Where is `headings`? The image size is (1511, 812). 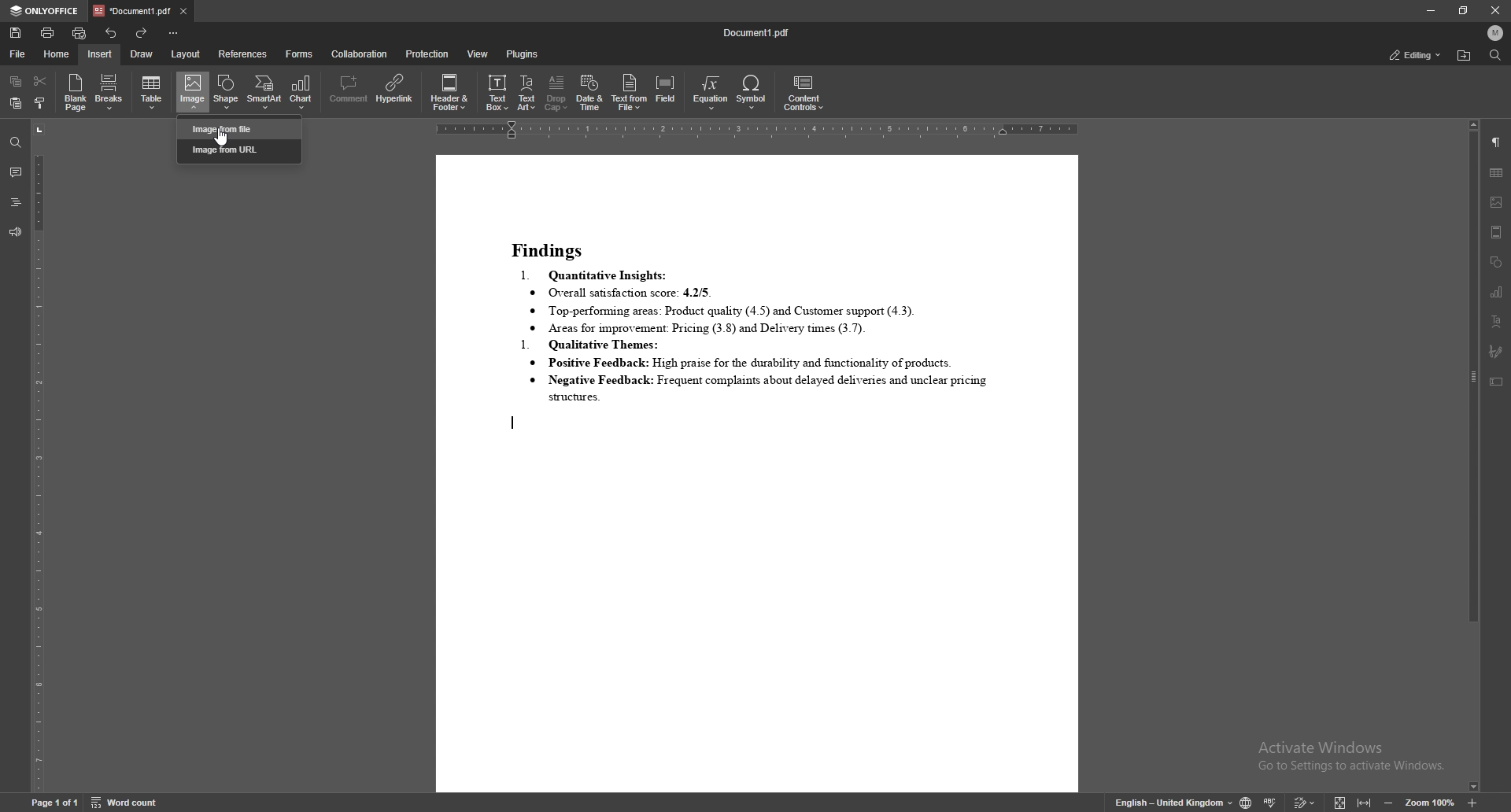
headings is located at coordinates (16, 203).